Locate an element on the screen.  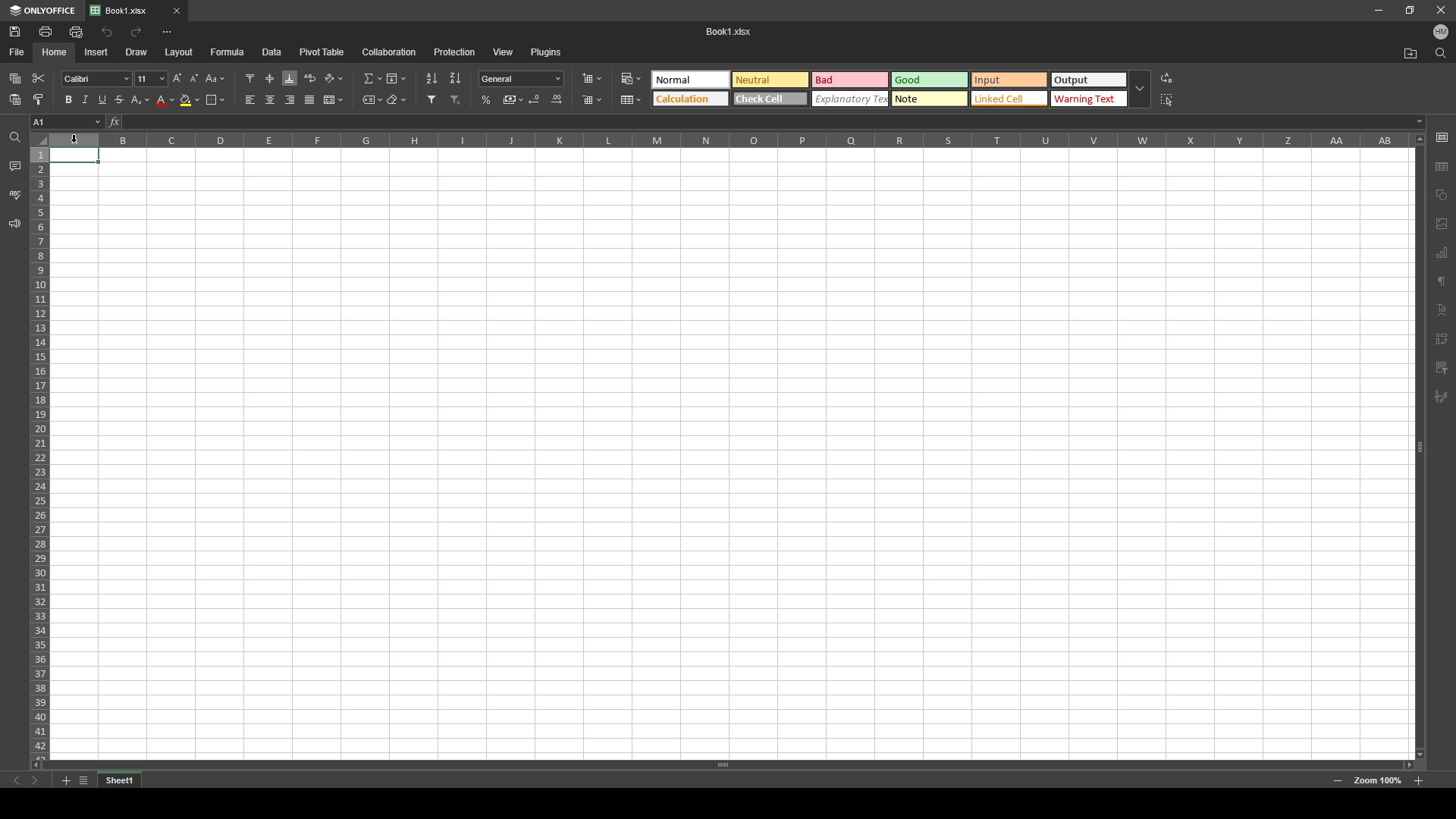
bold is located at coordinates (68, 99).